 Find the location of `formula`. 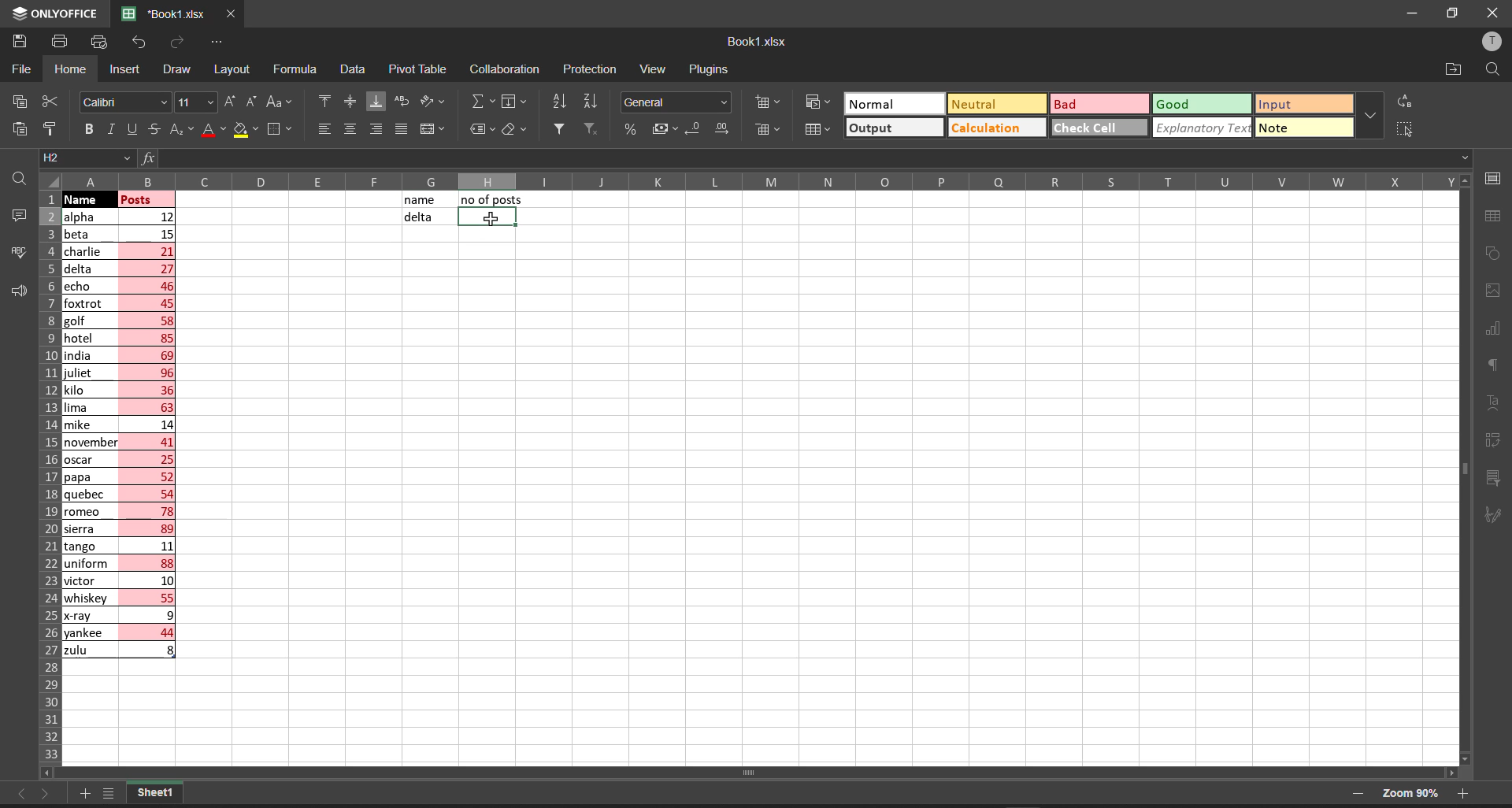

formula is located at coordinates (146, 158).